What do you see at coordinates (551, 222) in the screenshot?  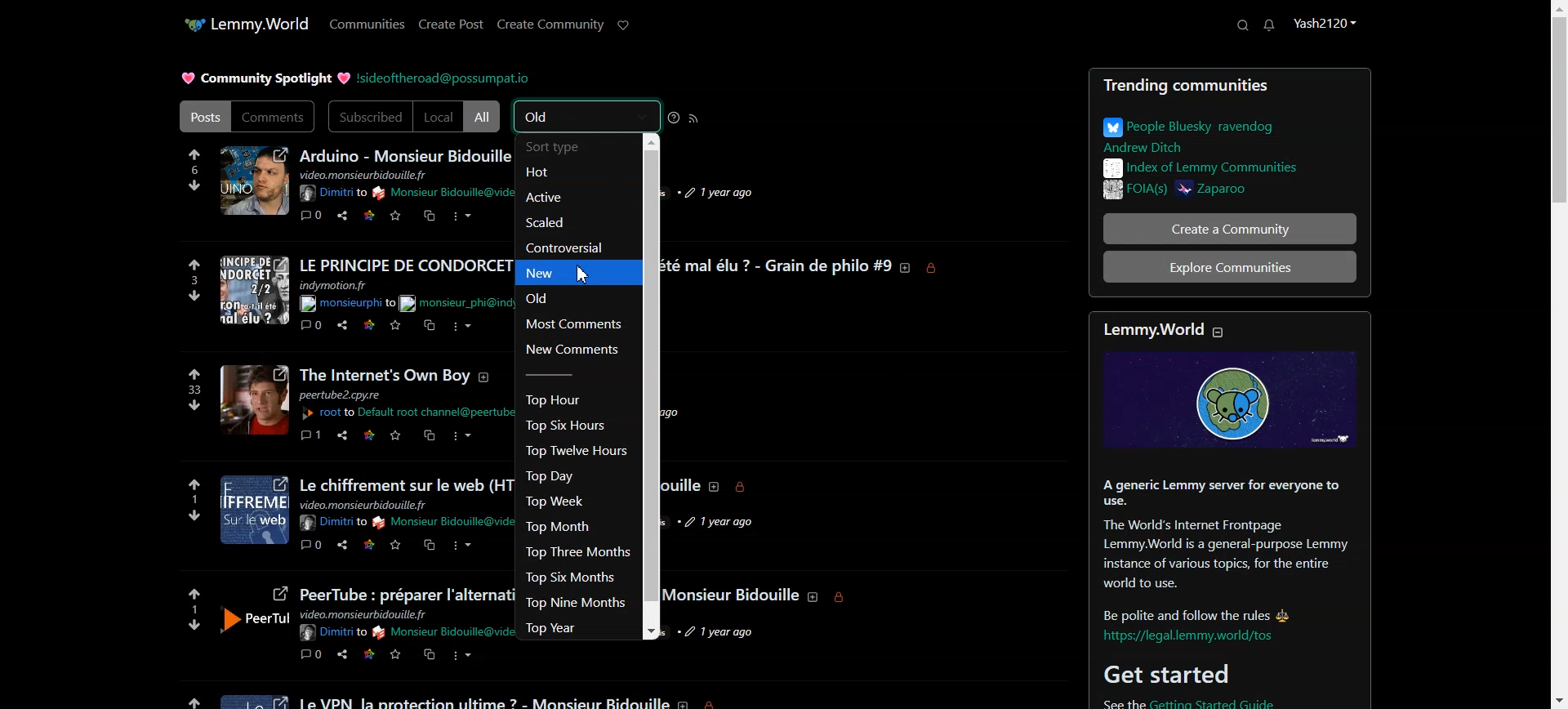 I see `Scaled` at bounding box center [551, 222].